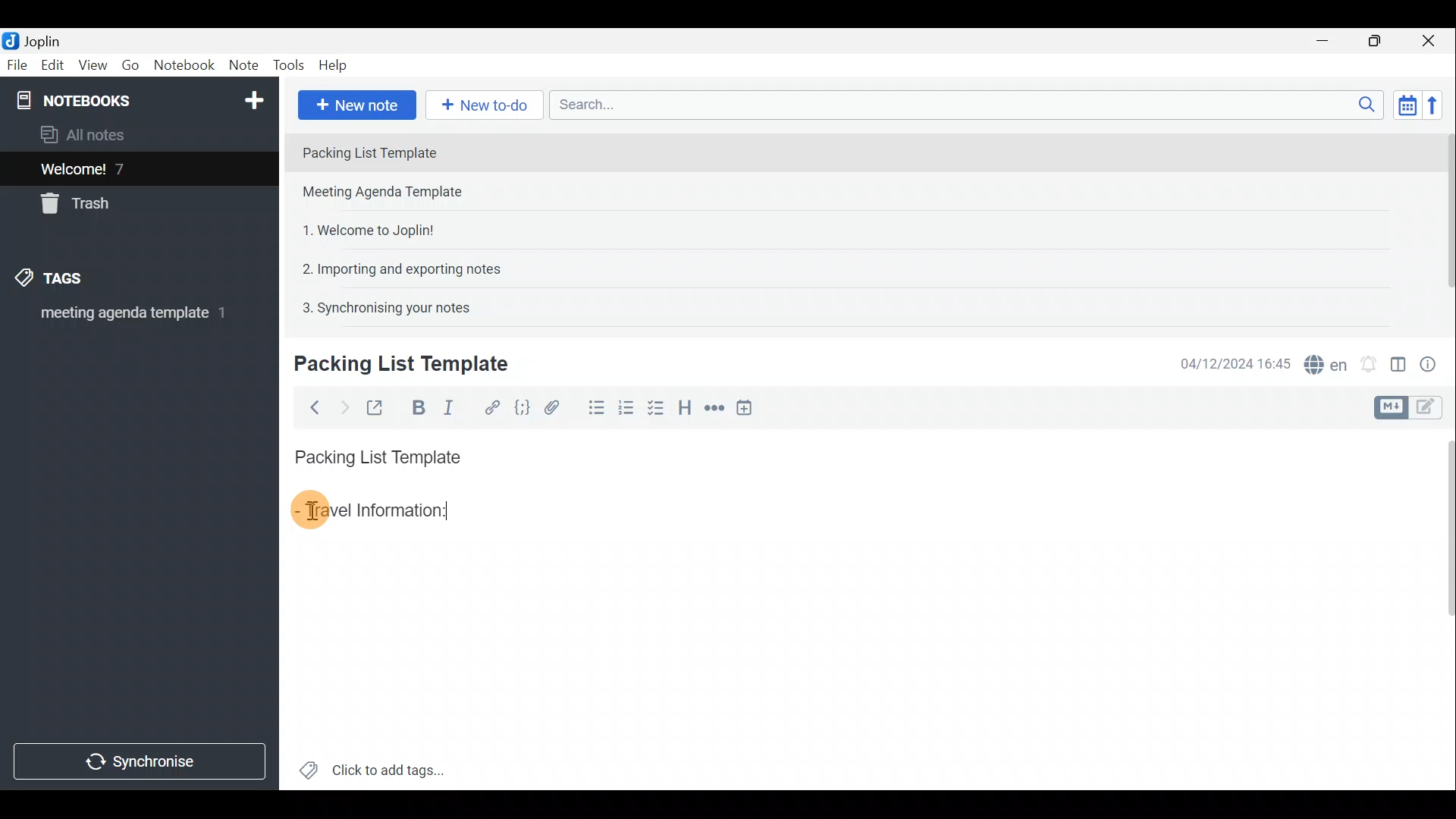  Describe the element at coordinates (1380, 41) in the screenshot. I see `Maximise` at that location.